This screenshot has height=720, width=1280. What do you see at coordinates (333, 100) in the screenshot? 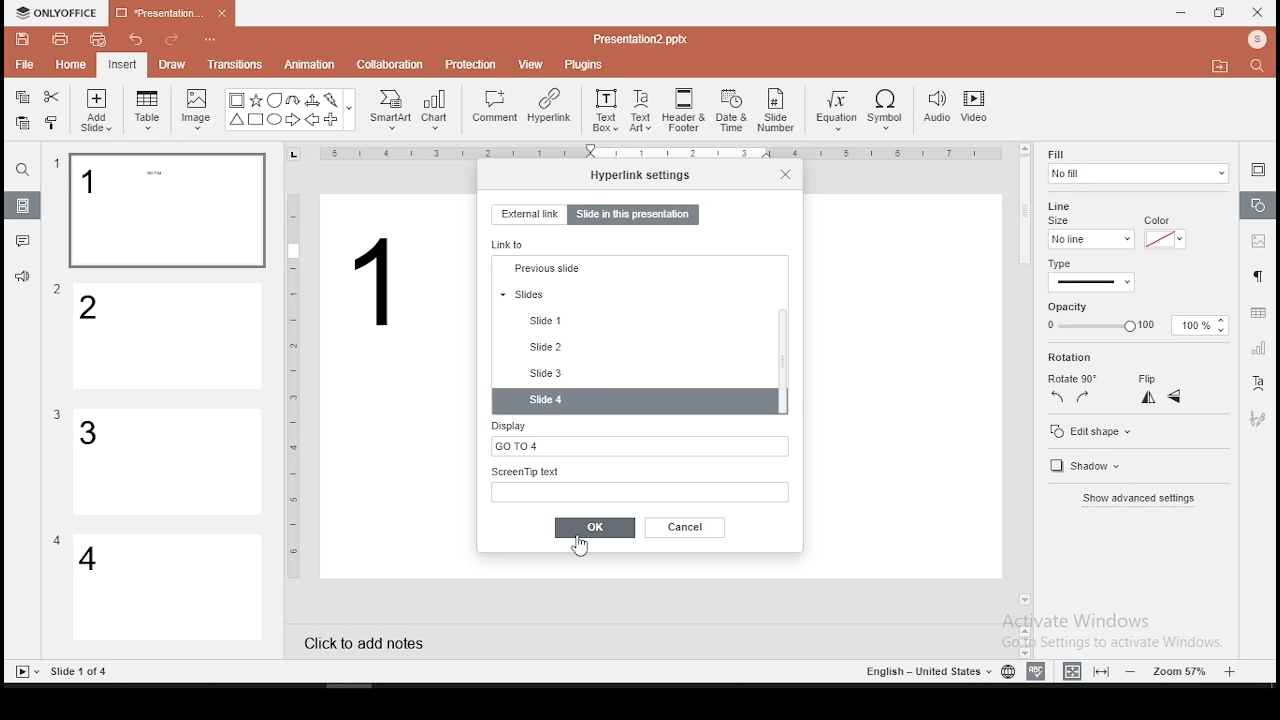
I see `Flash` at bounding box center [333, 100].